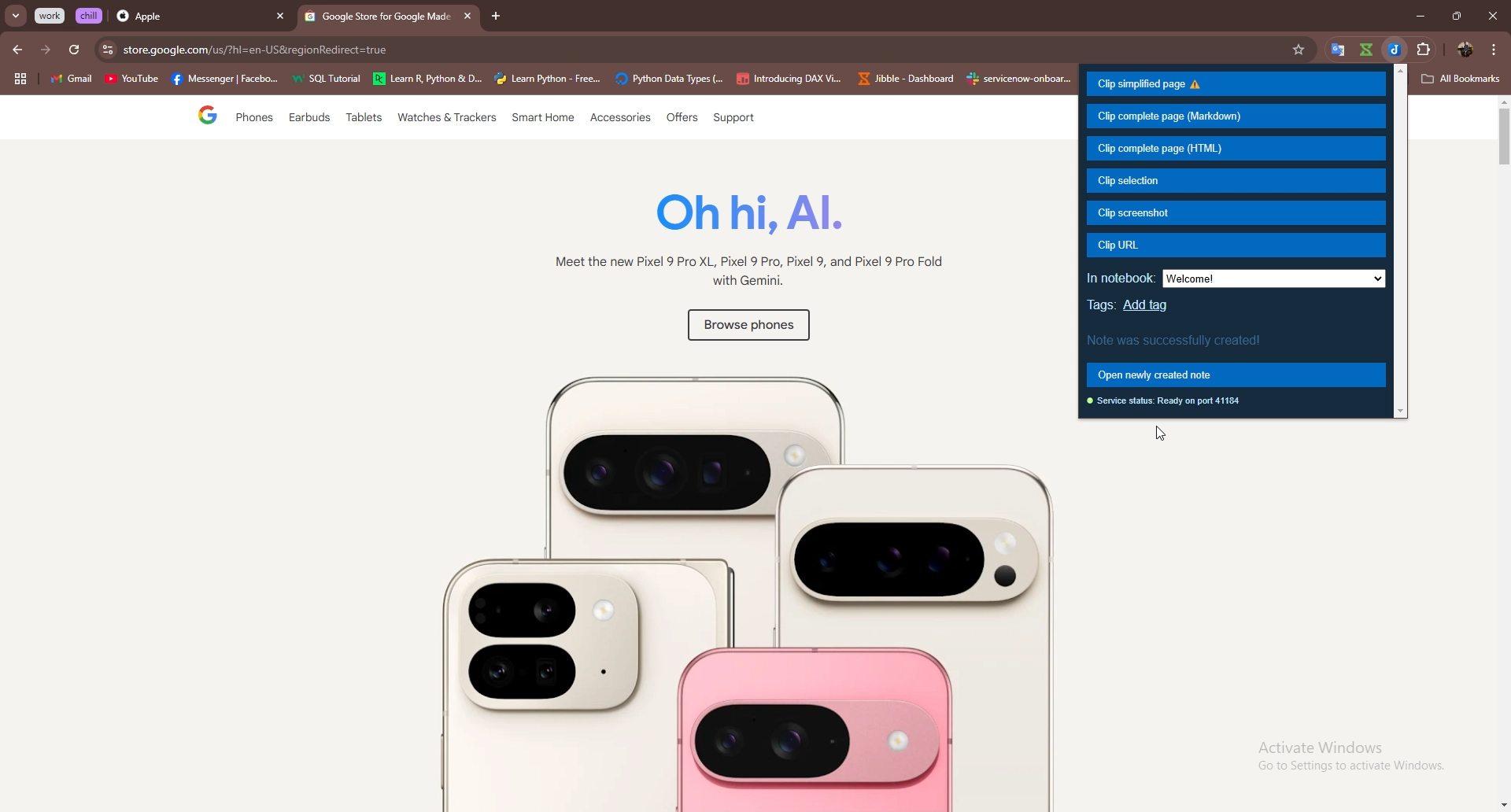 This screenshot has height=812, width=1511. Describe the element at coordinates (1424, 50) in the screenshot. I see `extensions` at that location.